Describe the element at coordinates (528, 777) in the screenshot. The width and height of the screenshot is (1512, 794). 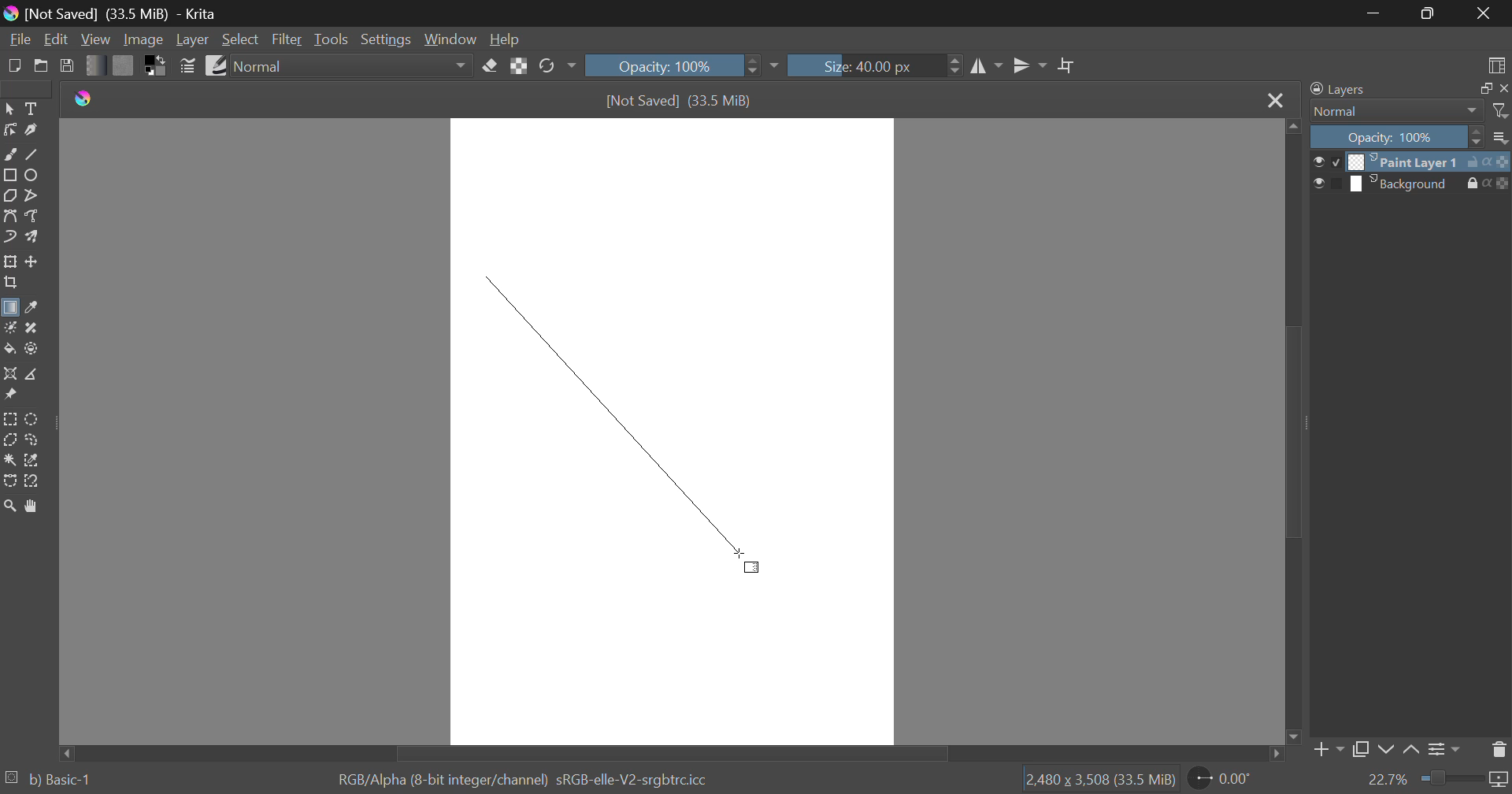
I see `RGB/Alpha (8-bit integer/channel) sRGB-elle-V2-srgbtrc.icc` at that location.